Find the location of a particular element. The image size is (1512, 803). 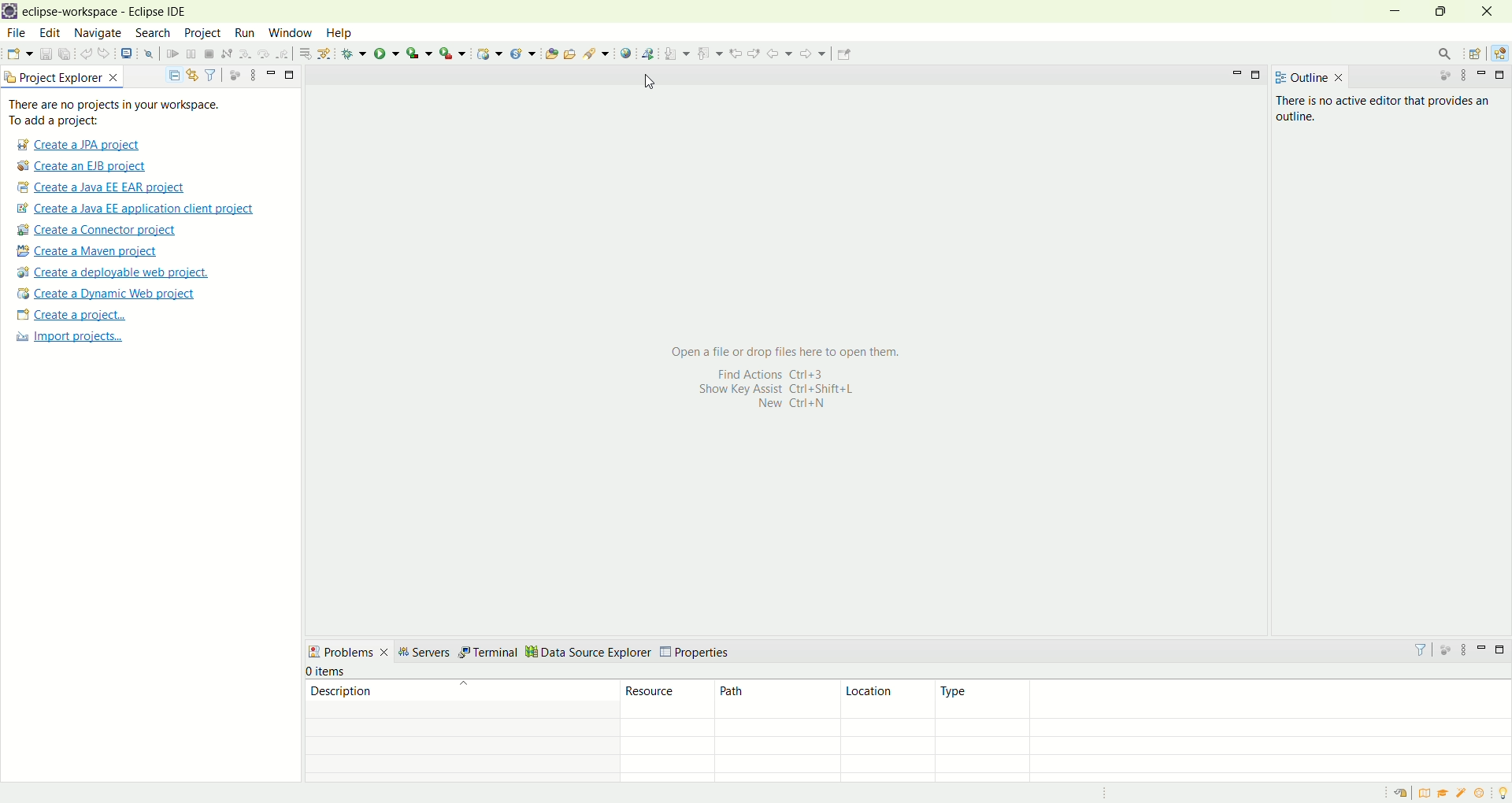

suspend is located at coordinates (191, 55).